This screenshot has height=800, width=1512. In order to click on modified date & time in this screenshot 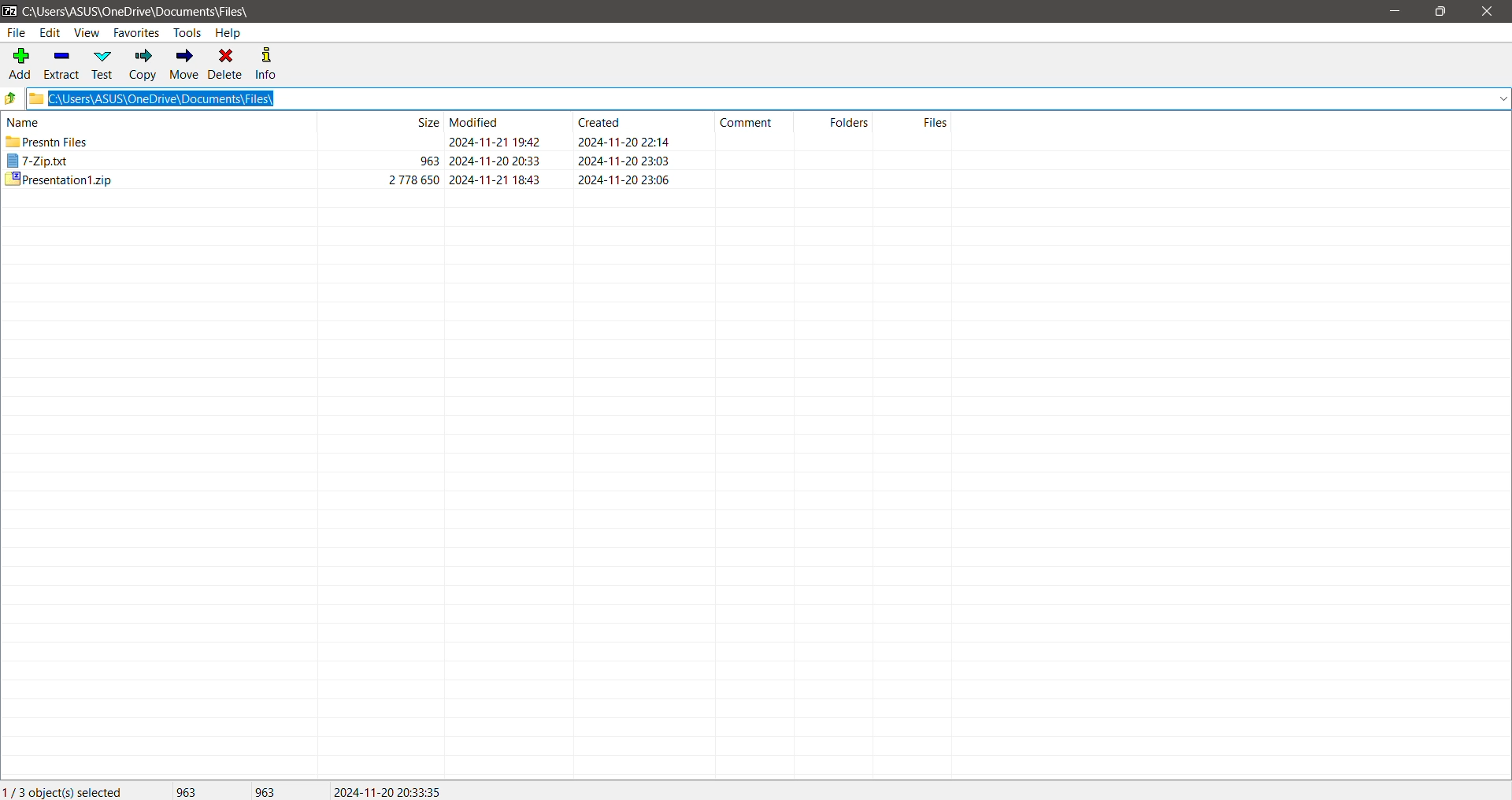, I will do `click(495, 161)`.